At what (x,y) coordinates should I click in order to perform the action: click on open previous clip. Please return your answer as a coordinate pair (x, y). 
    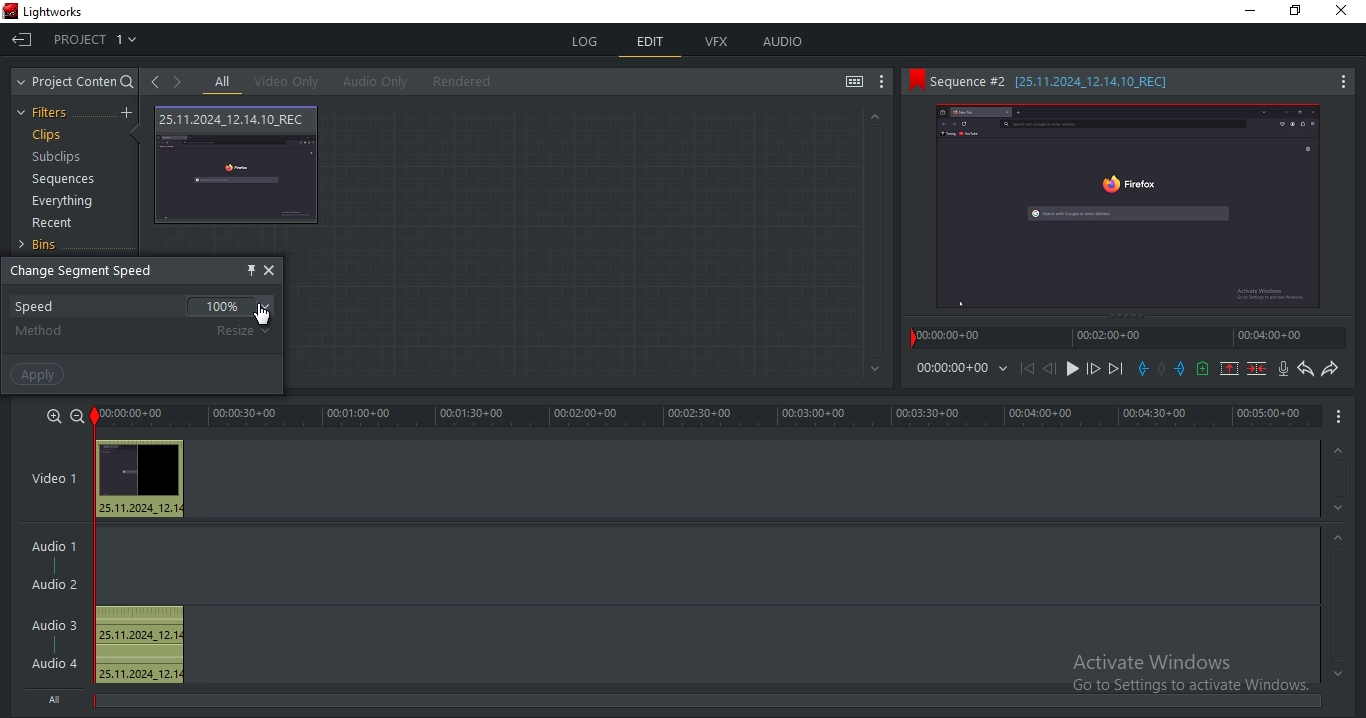
    Looking at the image, I should click on (155, 82).